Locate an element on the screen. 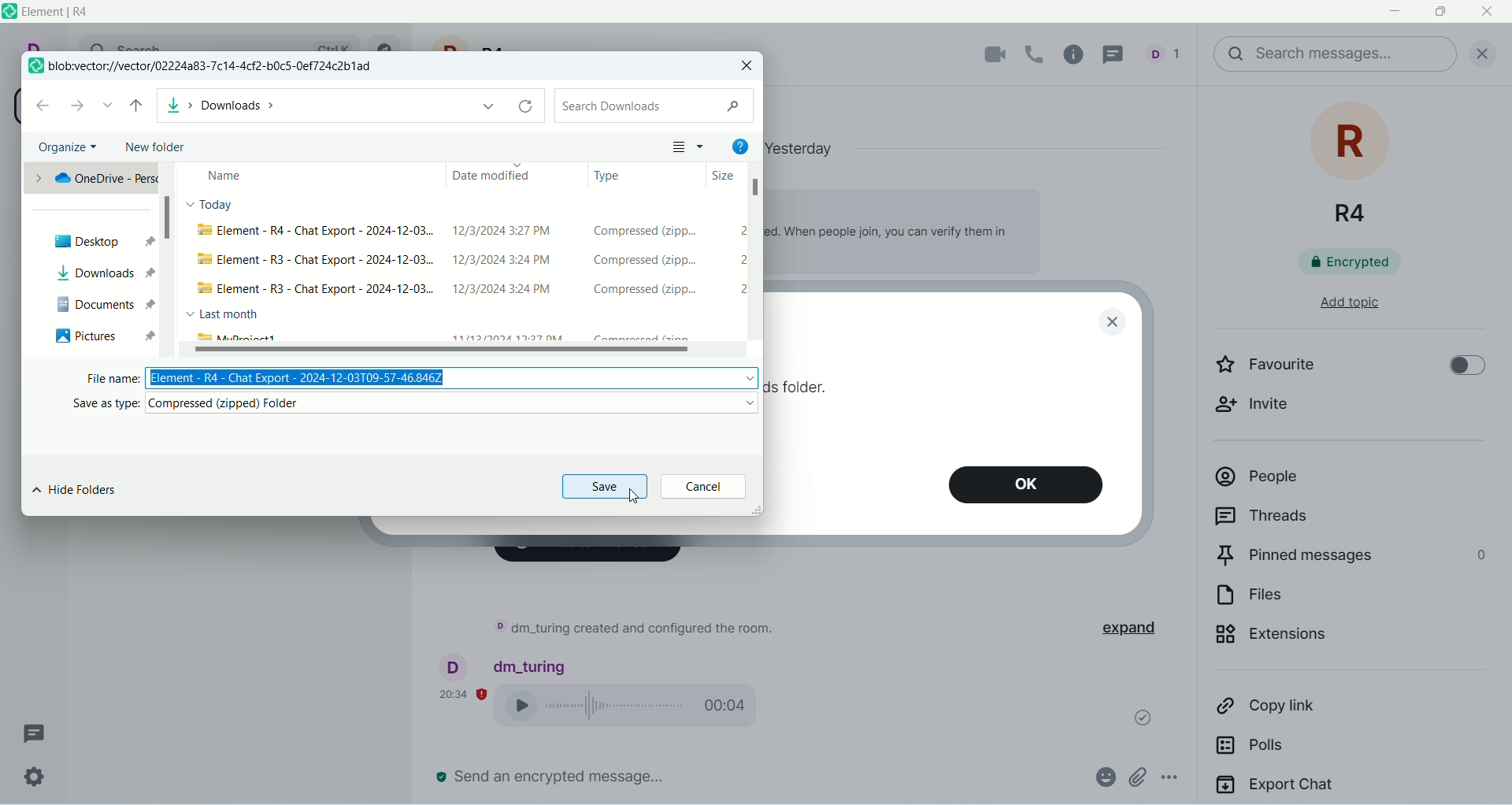  room is located at coordinates (1354, 165).